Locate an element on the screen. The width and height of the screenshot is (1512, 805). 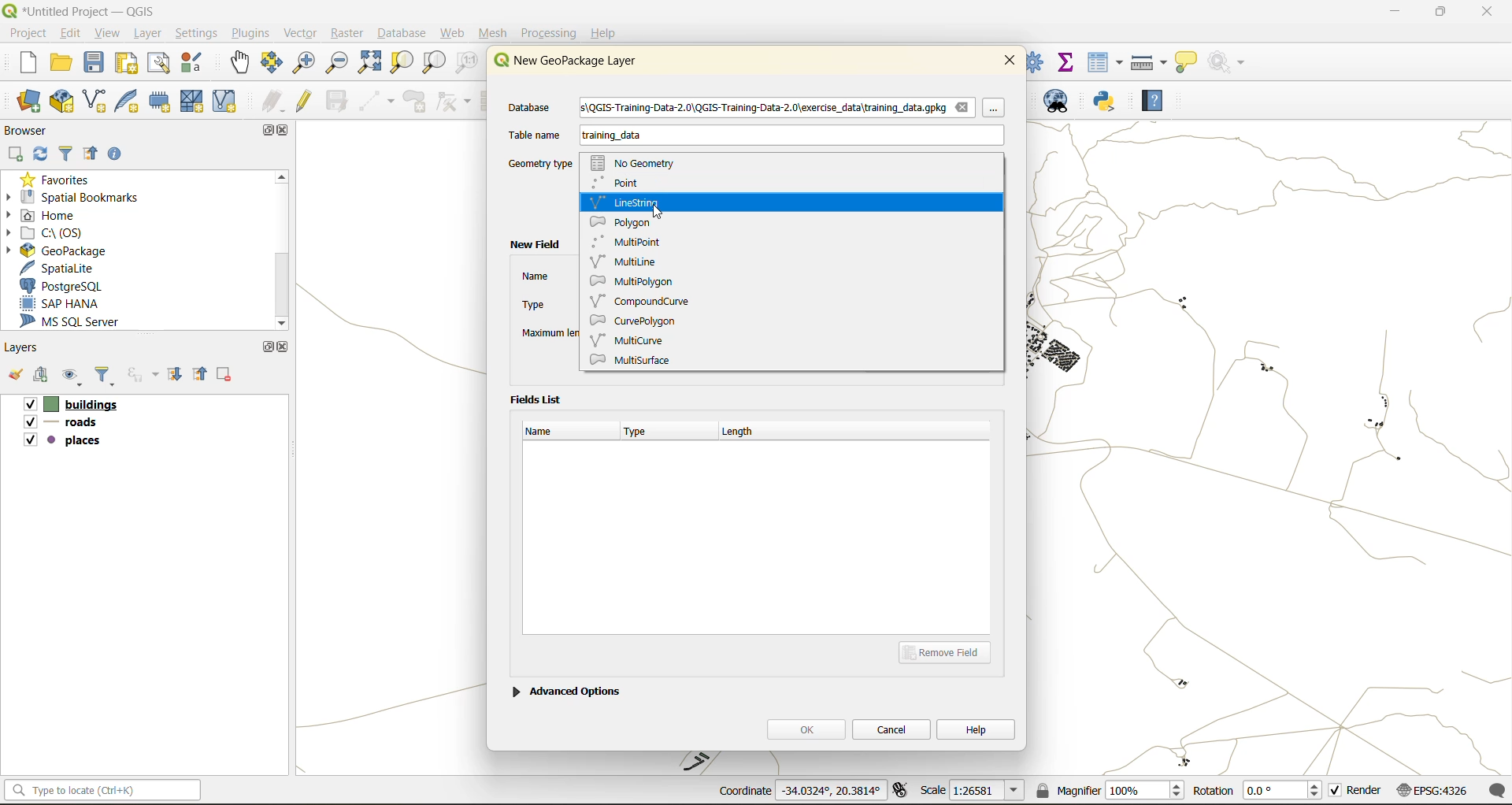
crs (EPSG:4326) is located at coordinates (1436, 791).